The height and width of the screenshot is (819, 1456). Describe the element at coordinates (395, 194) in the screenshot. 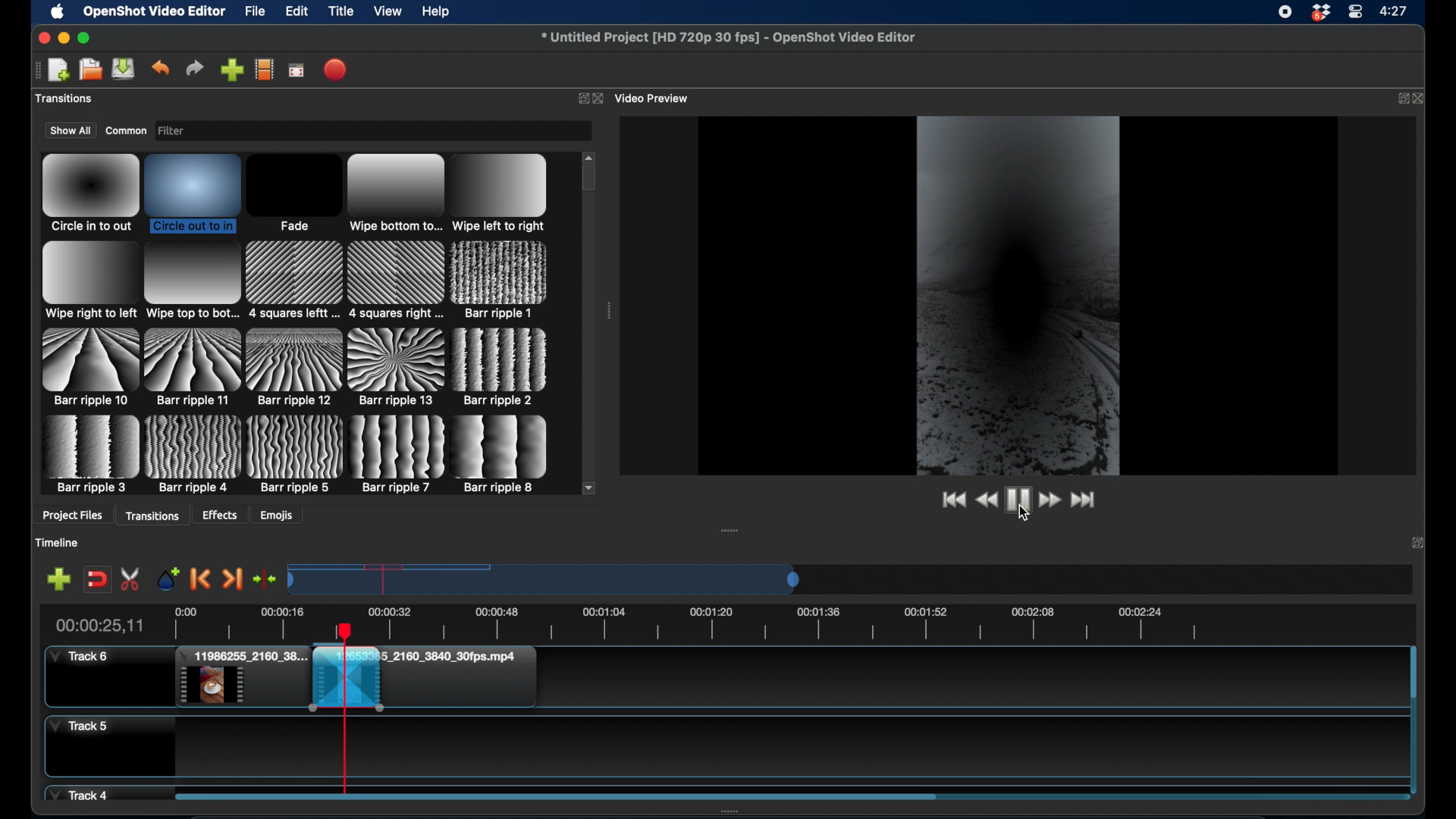

I see `transition` at that location.